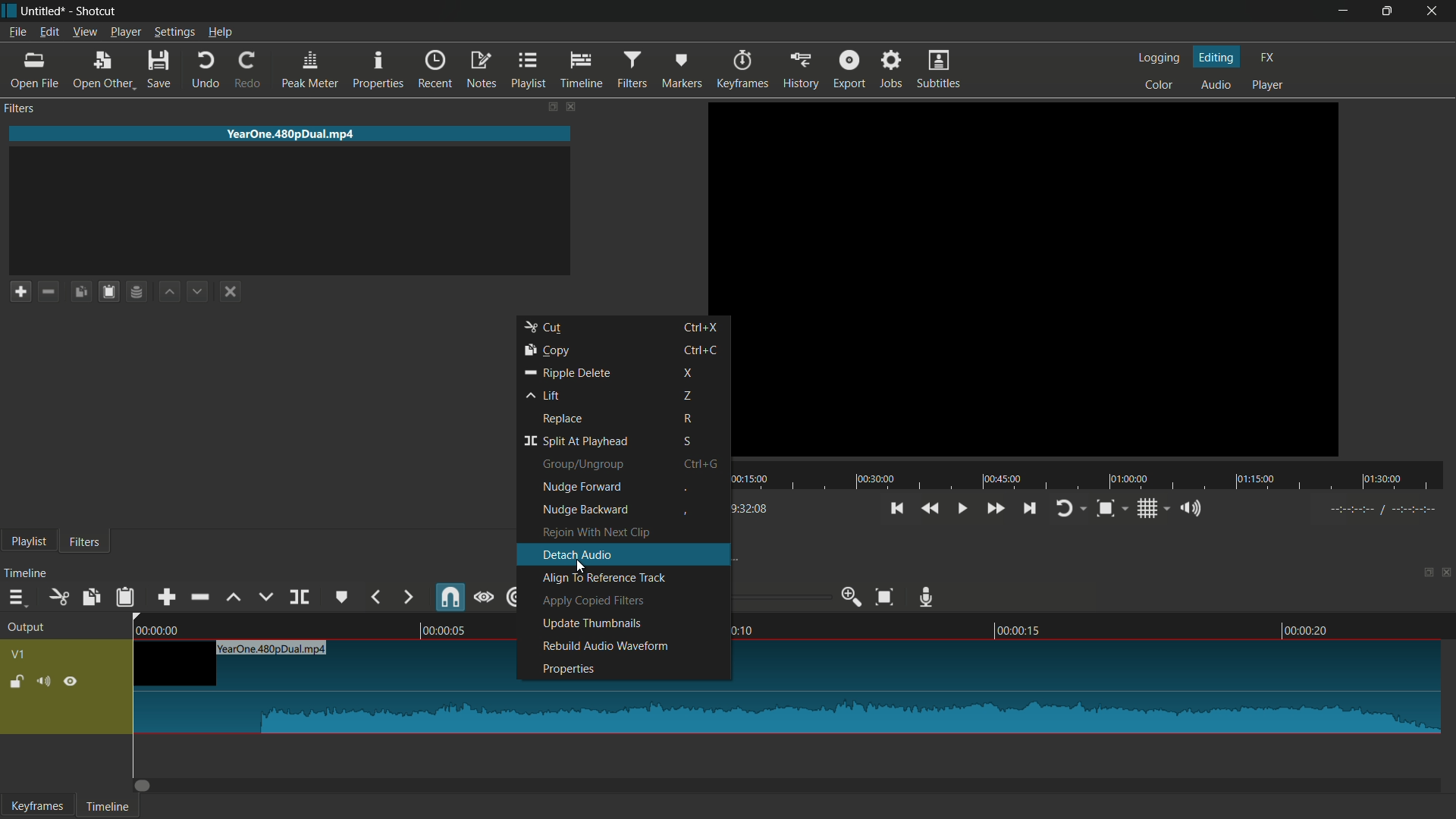  What do you see at coordinates (247, 71) in the screenshot?
I see `redo` at bounding box center [247, 71].